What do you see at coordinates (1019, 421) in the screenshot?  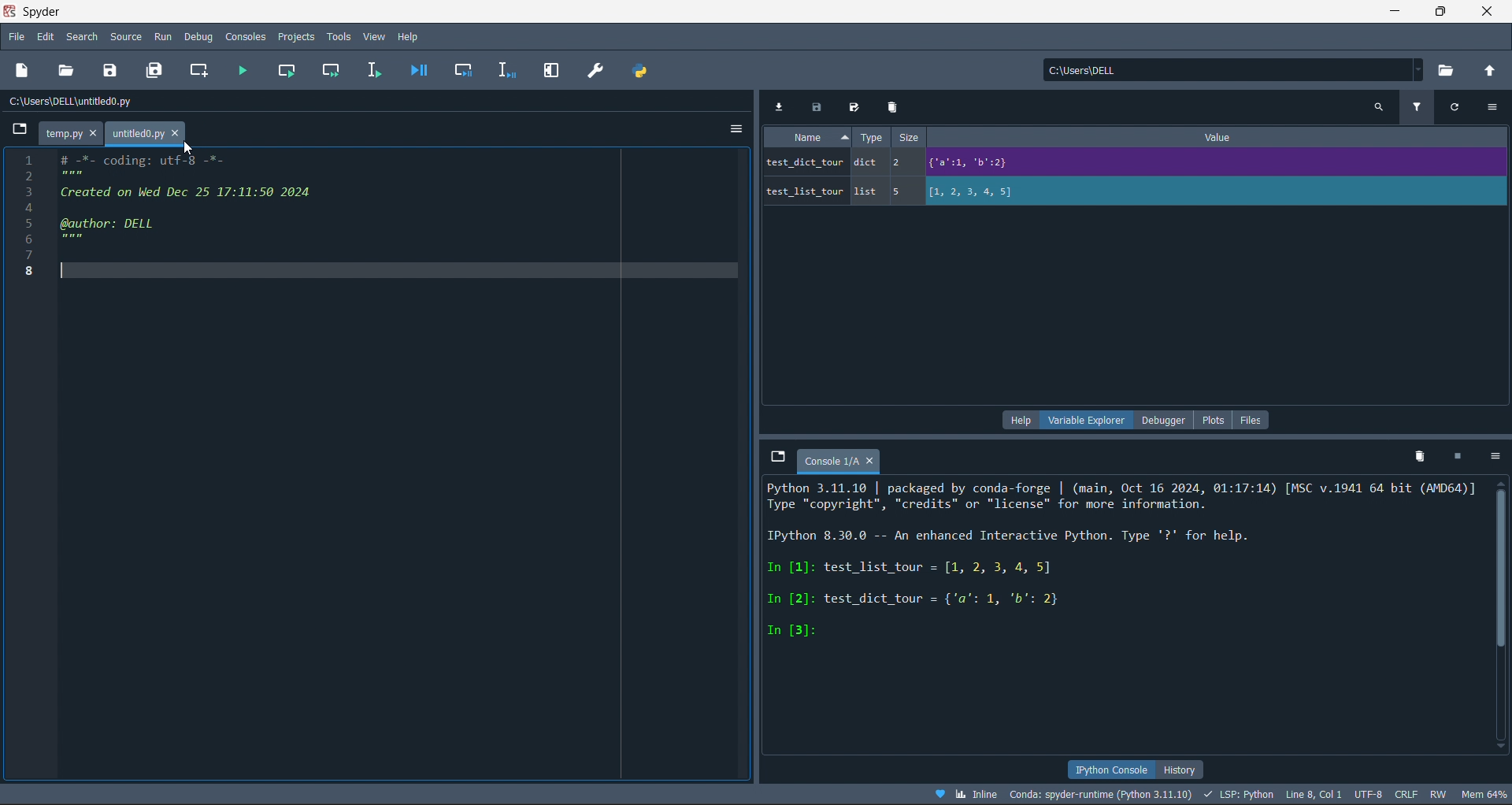 I see `help pane` at bounding box center [1019, 421].